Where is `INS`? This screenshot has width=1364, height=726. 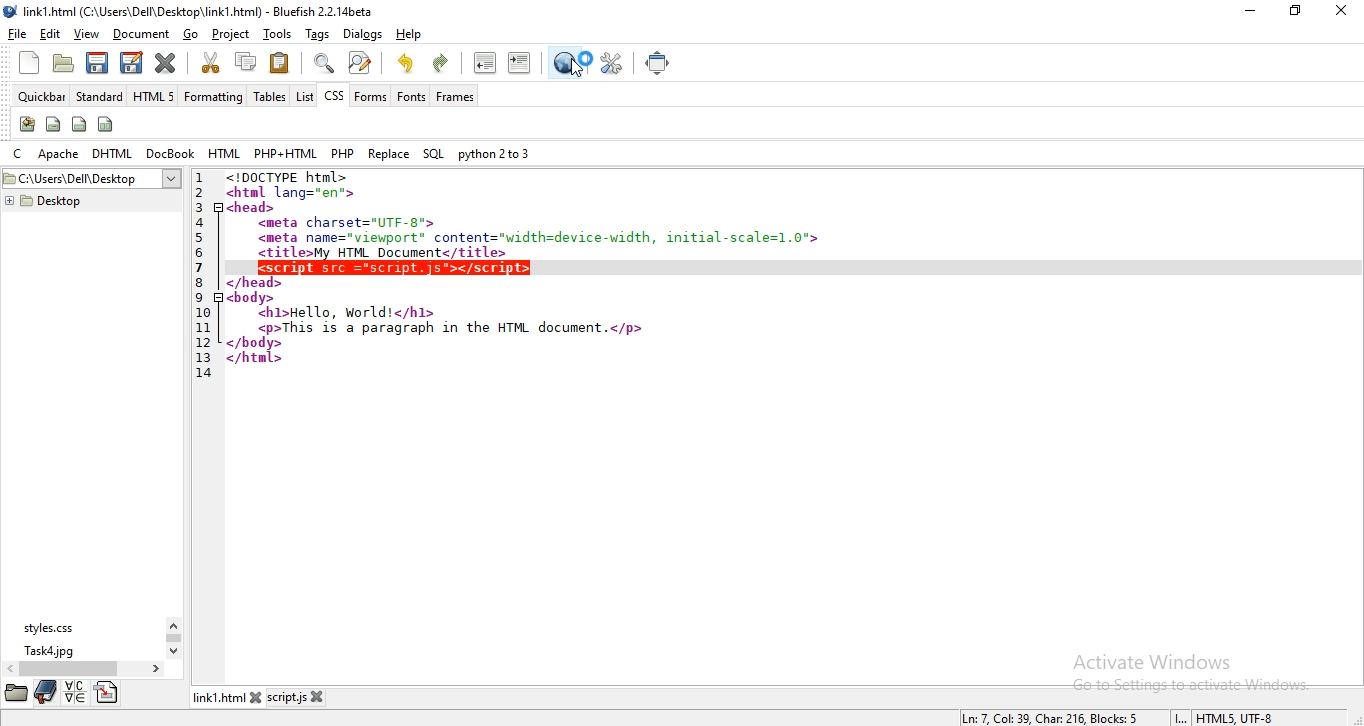
INS is located at coordinates (1179, 718).